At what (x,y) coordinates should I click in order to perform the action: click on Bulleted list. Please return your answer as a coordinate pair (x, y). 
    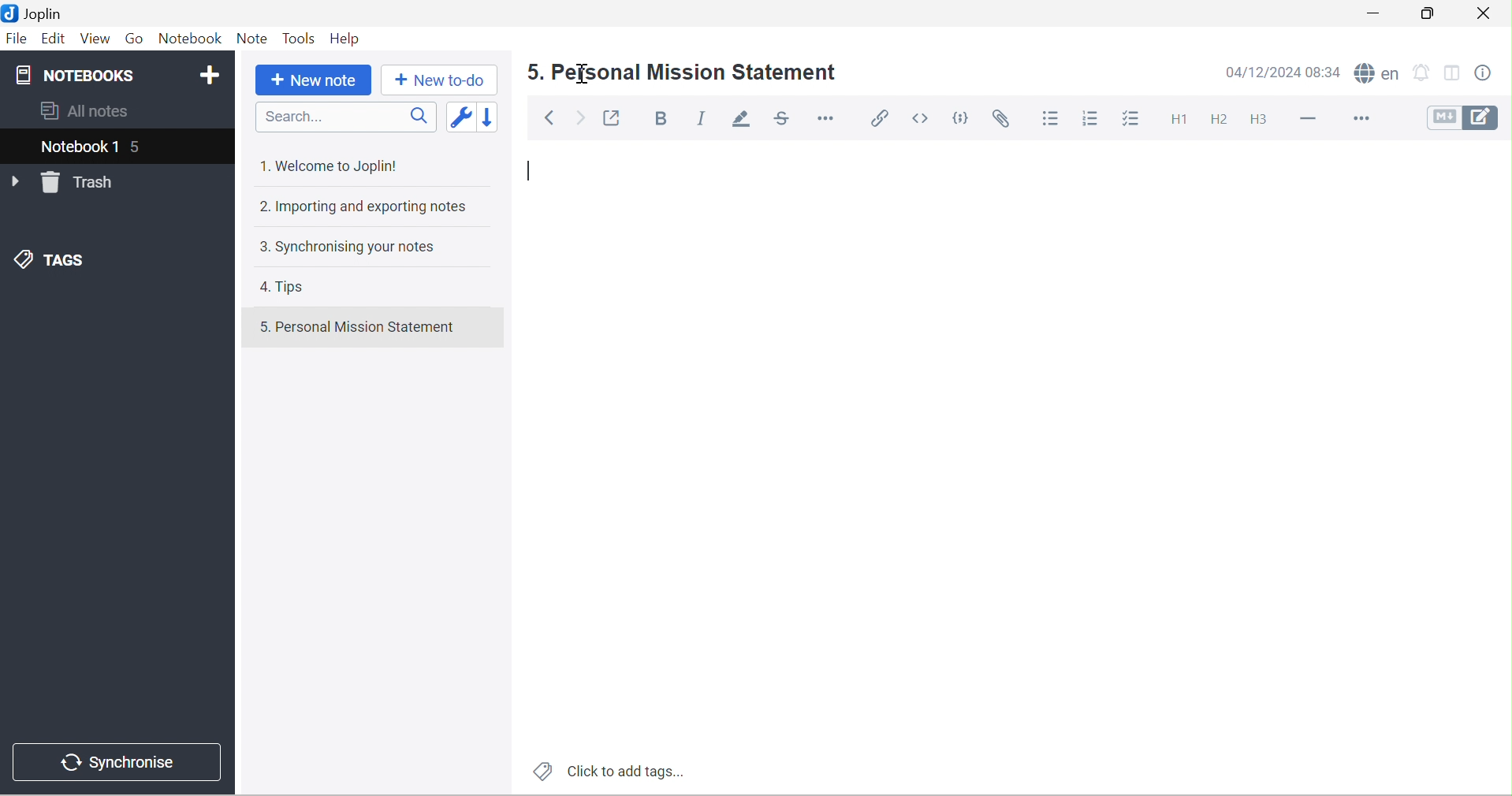
    Looking at the image, I should click on (1056, 121).